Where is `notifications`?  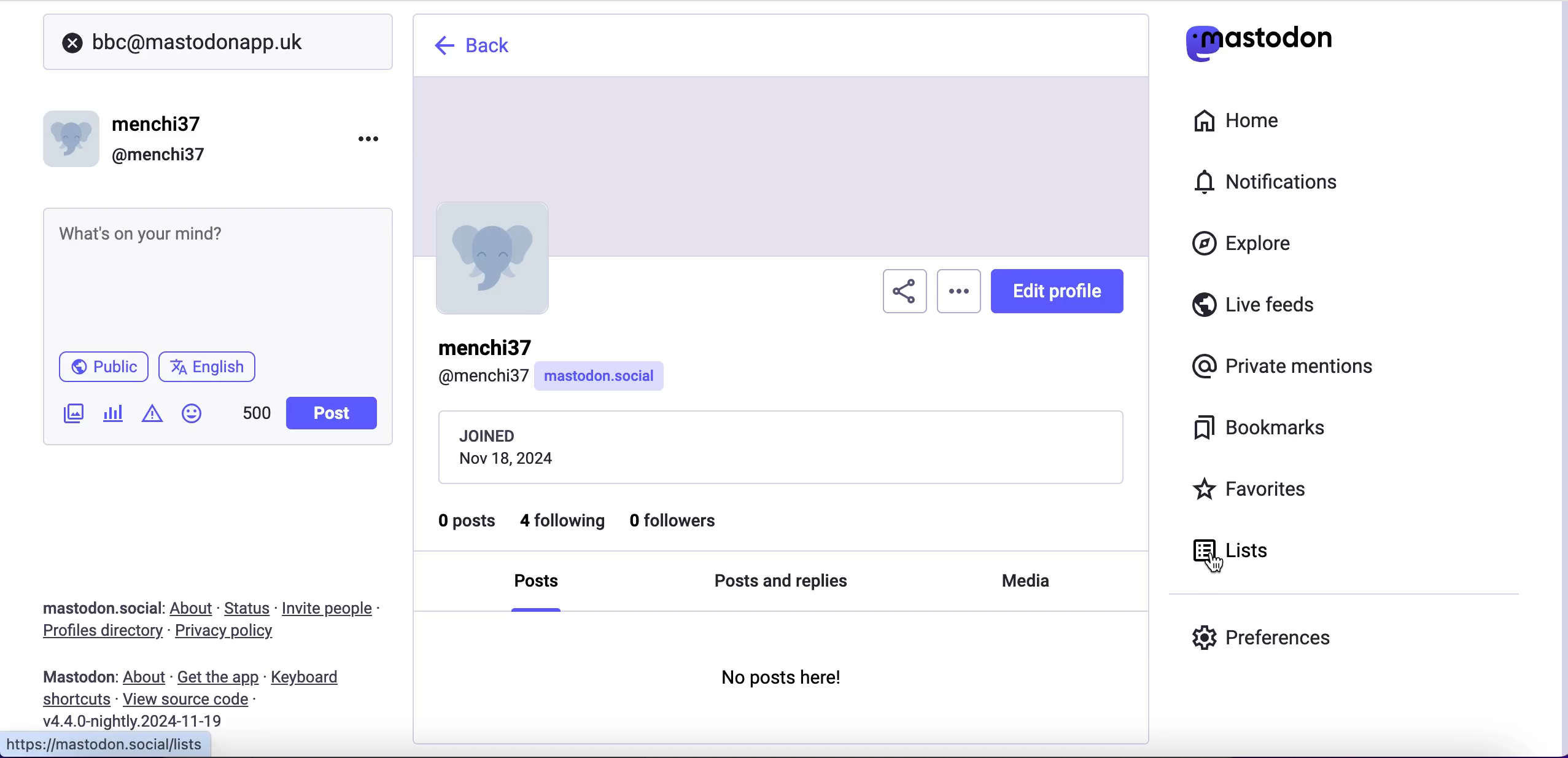 notifications is located at coordinates (1259, 180).